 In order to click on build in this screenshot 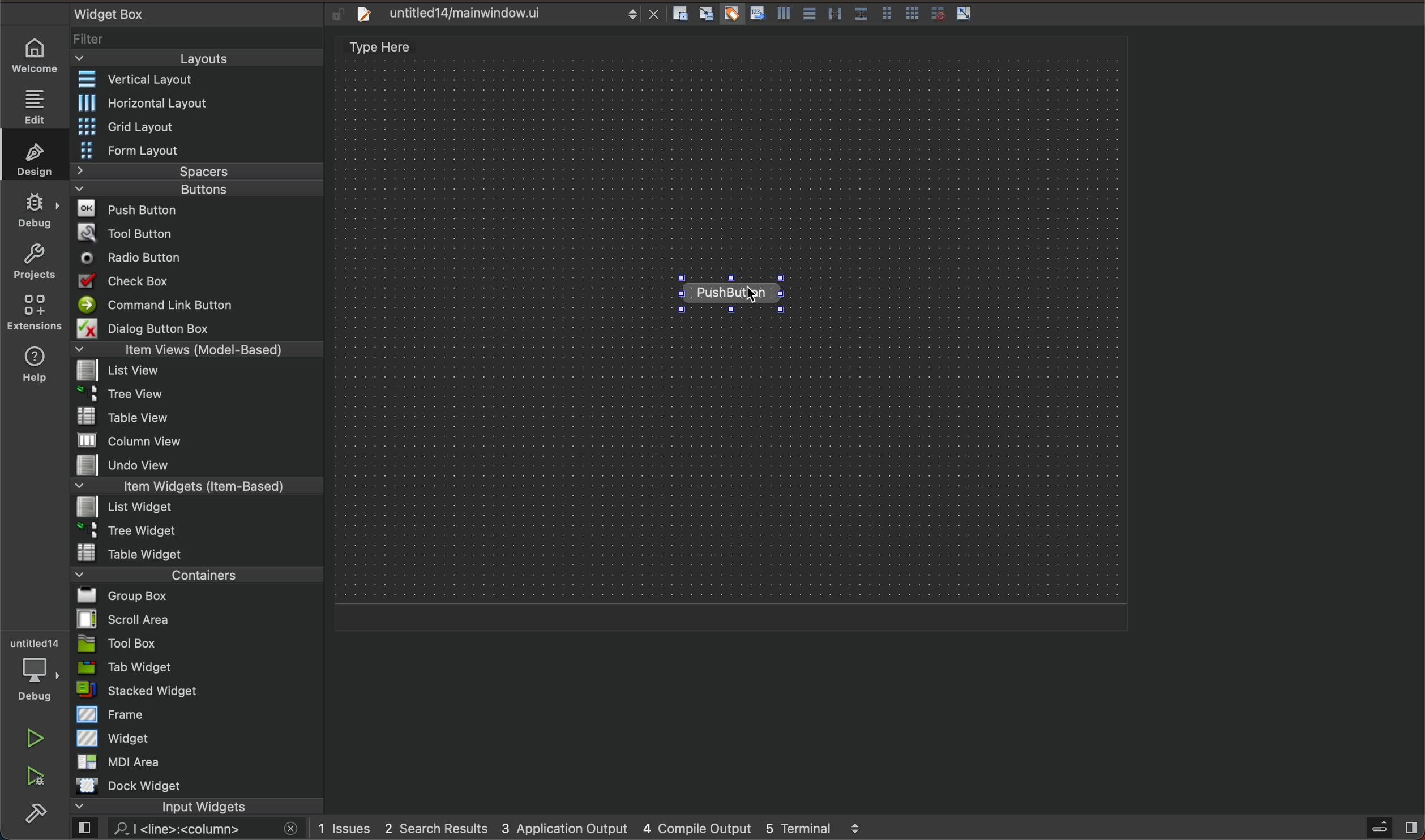, I will do `click(33, 818)`.